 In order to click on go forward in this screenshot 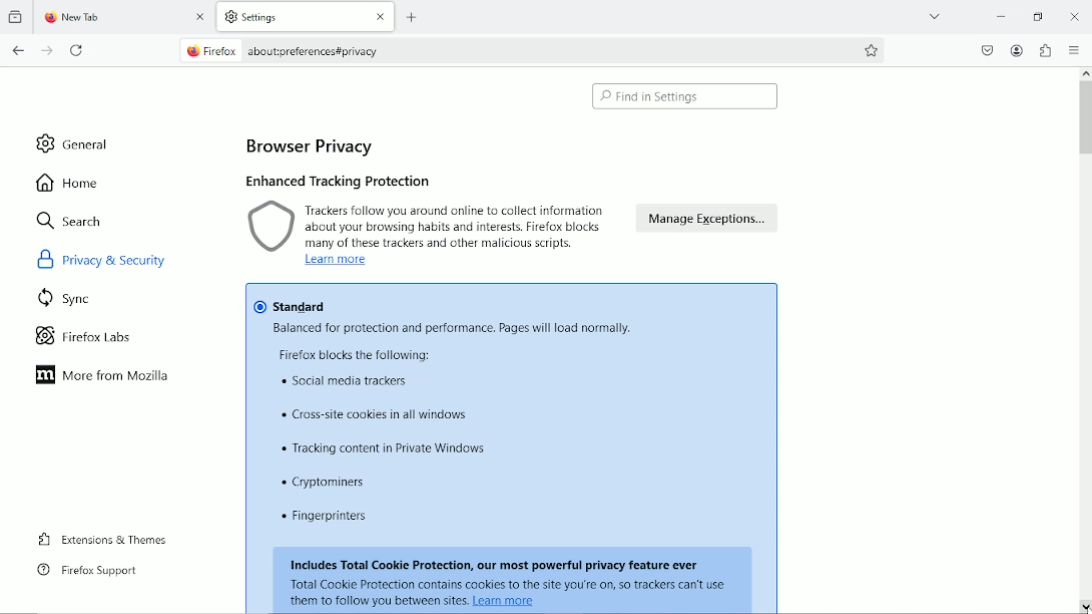, I will do `click(48, 51)`.